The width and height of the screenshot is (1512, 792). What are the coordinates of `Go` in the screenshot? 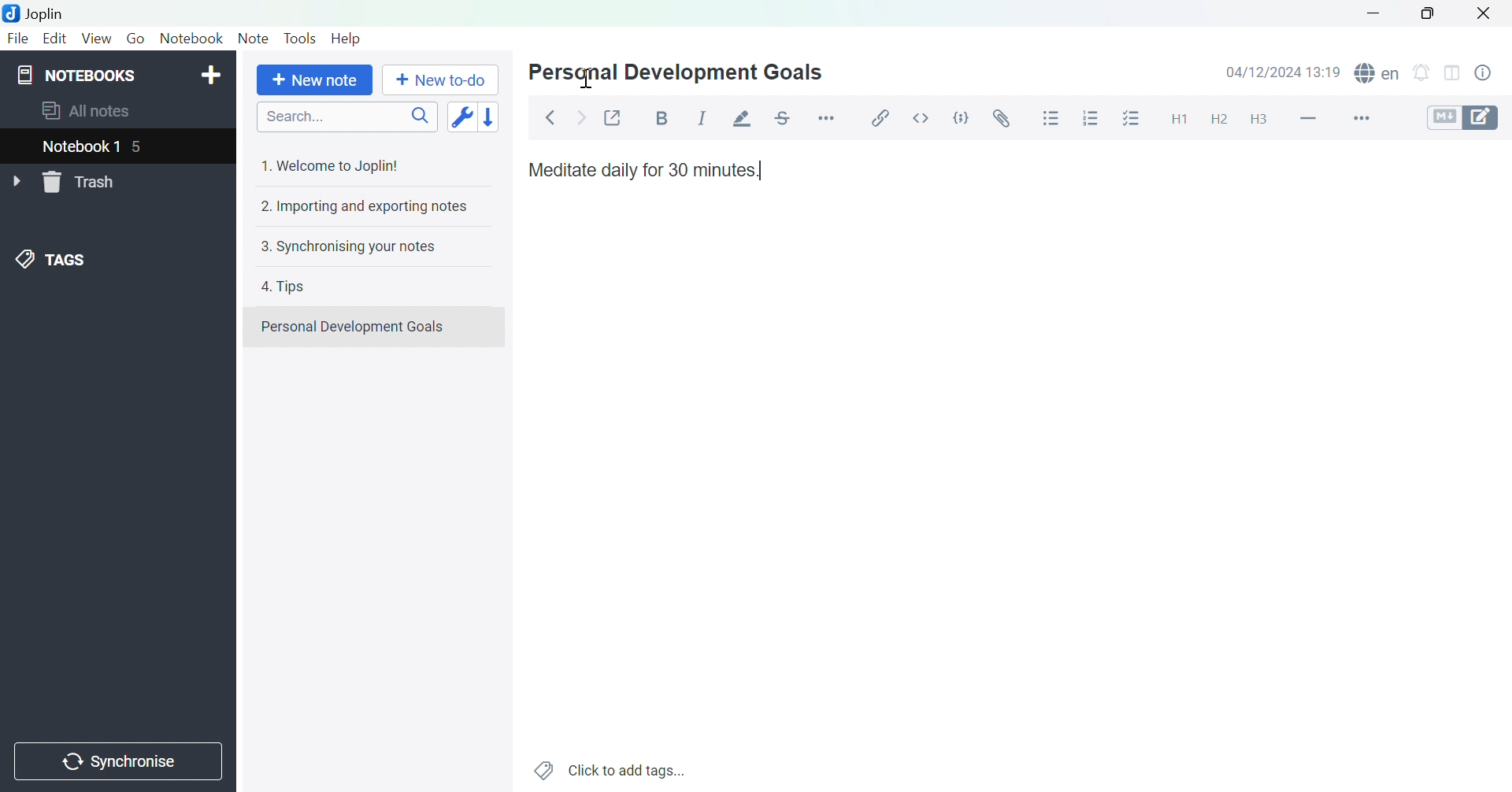 It's located at (135, 39).